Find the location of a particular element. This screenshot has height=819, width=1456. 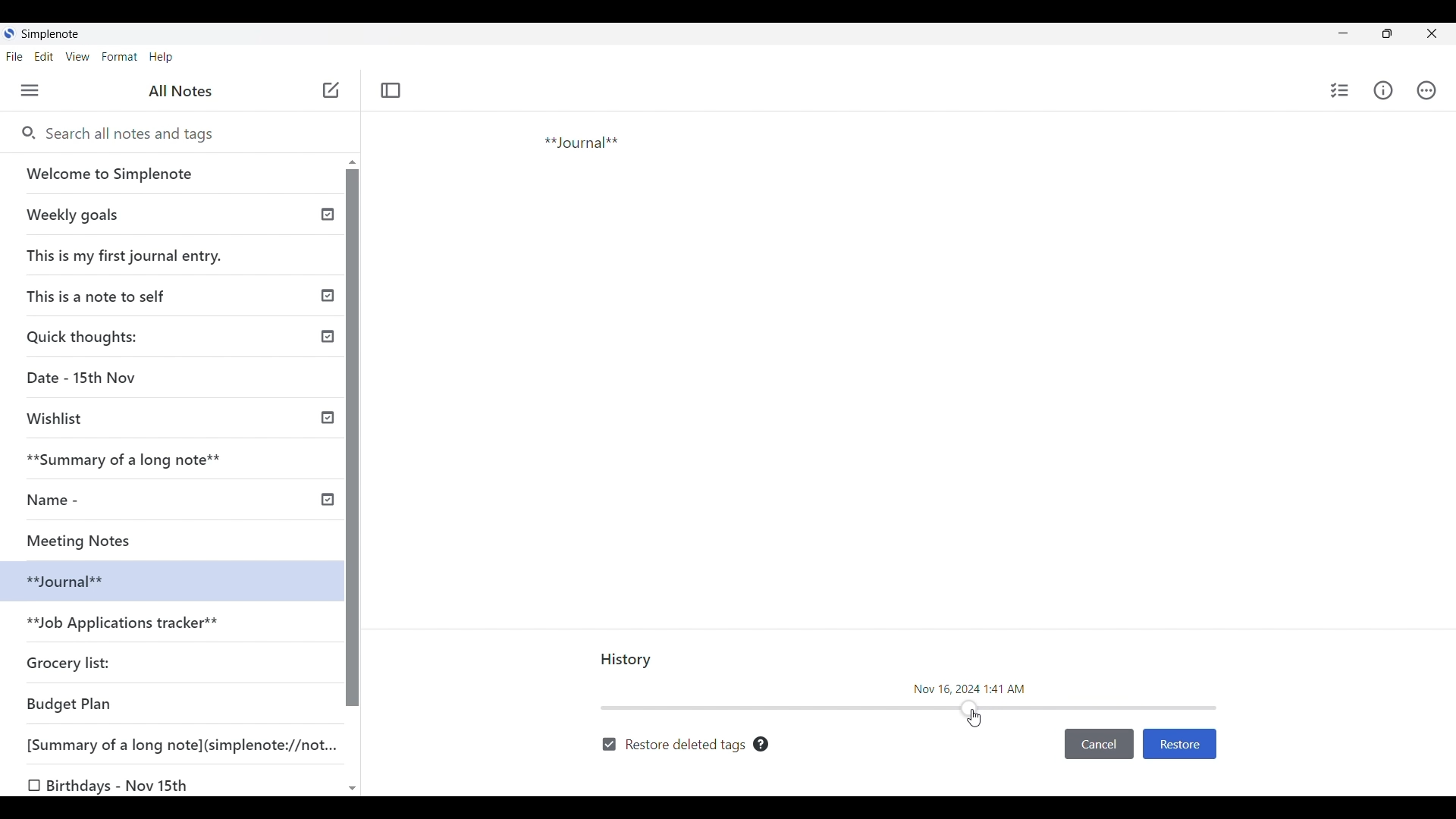

This is a note to self is located at coordinates (102, 295).